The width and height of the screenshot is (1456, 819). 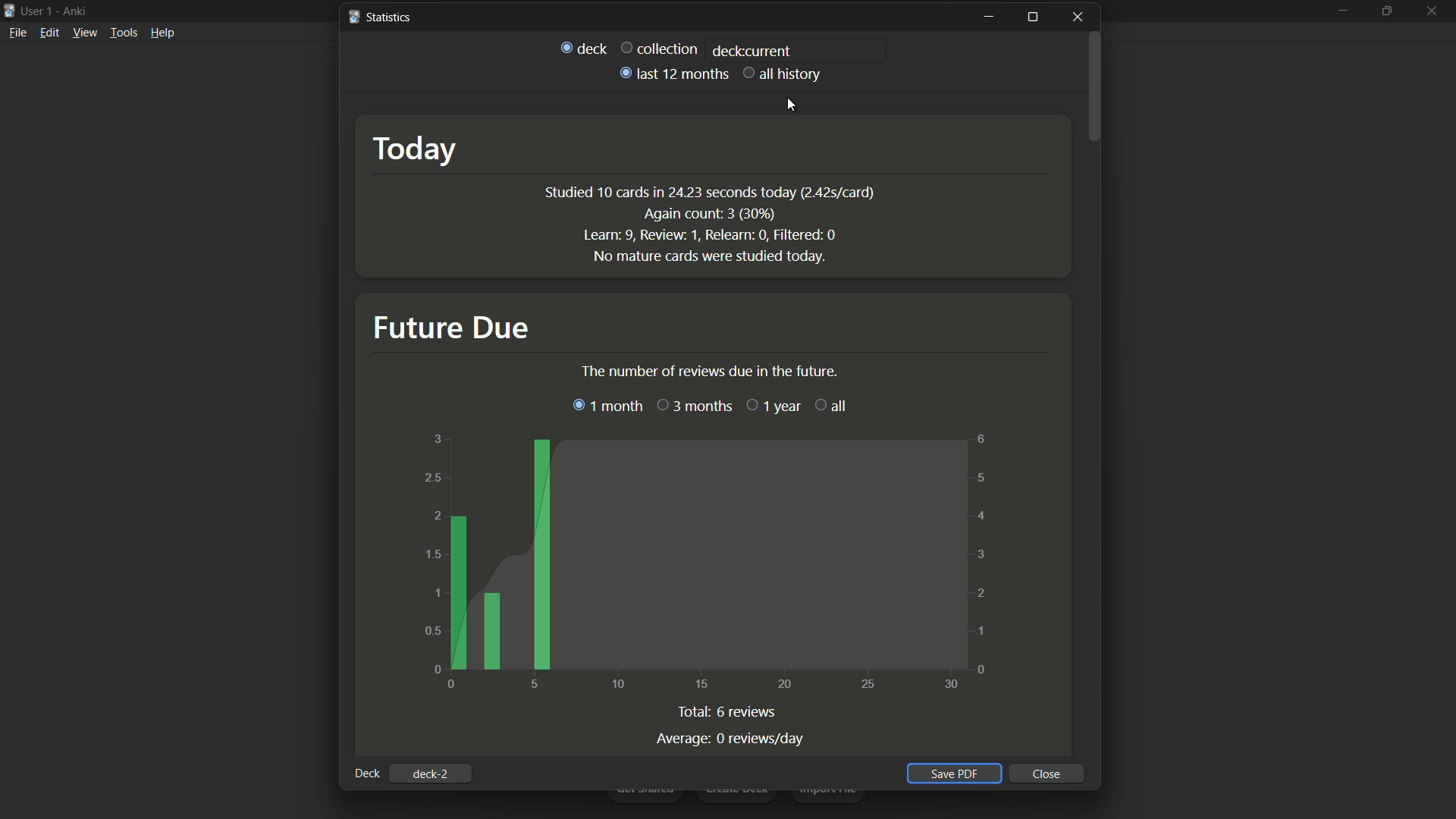 I want to click on Maximize, so click(x=1389, y=19).